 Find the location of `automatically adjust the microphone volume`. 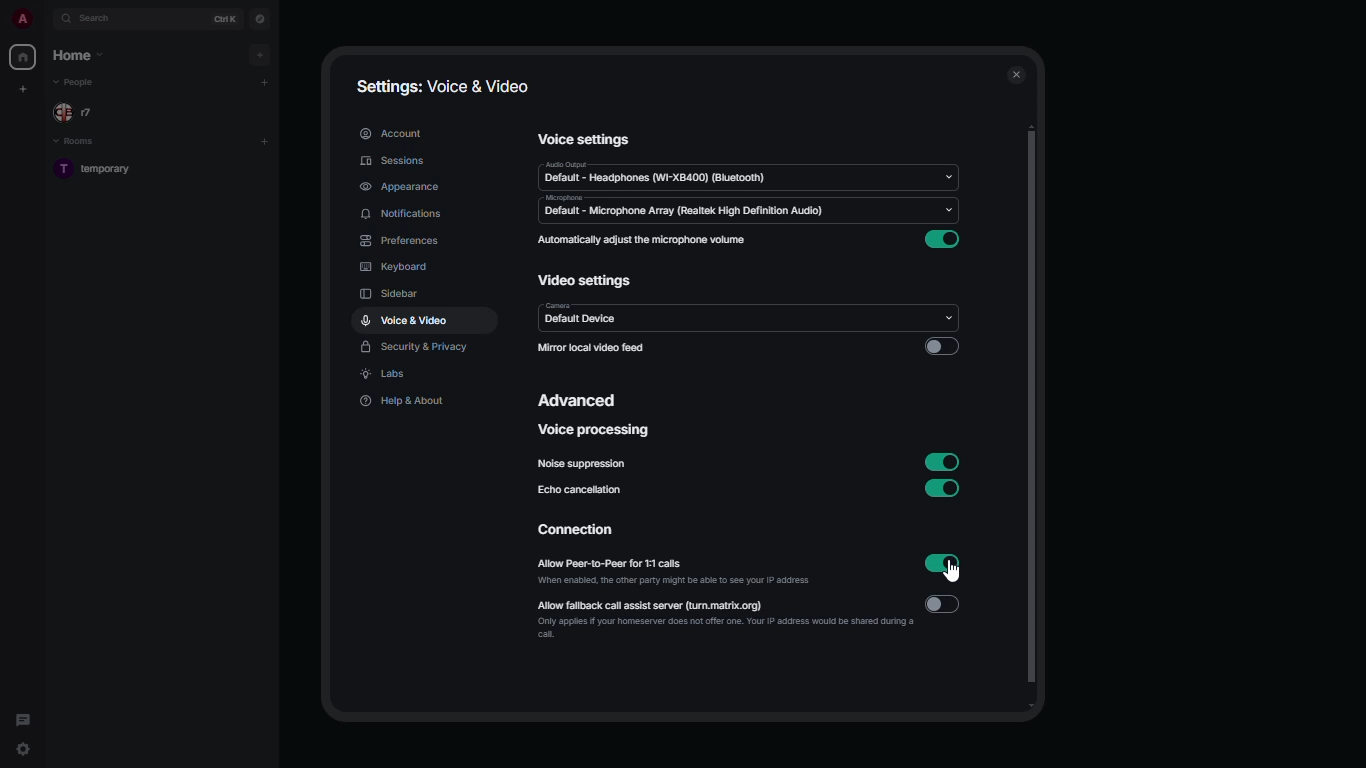

automatically adjust the microphone volume is located at coordinates (641, 240).